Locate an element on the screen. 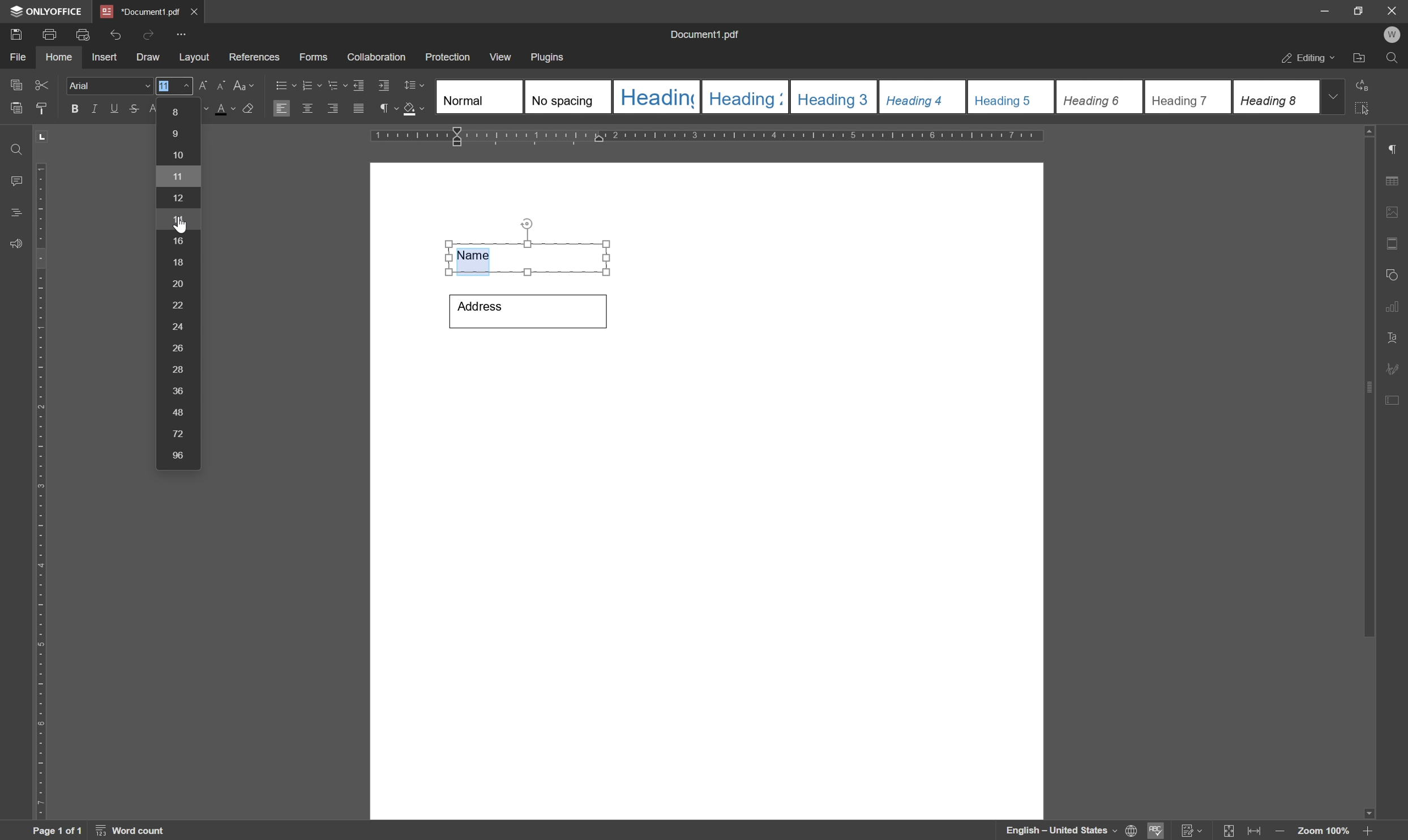  headings is located at coordinates (12, 213).